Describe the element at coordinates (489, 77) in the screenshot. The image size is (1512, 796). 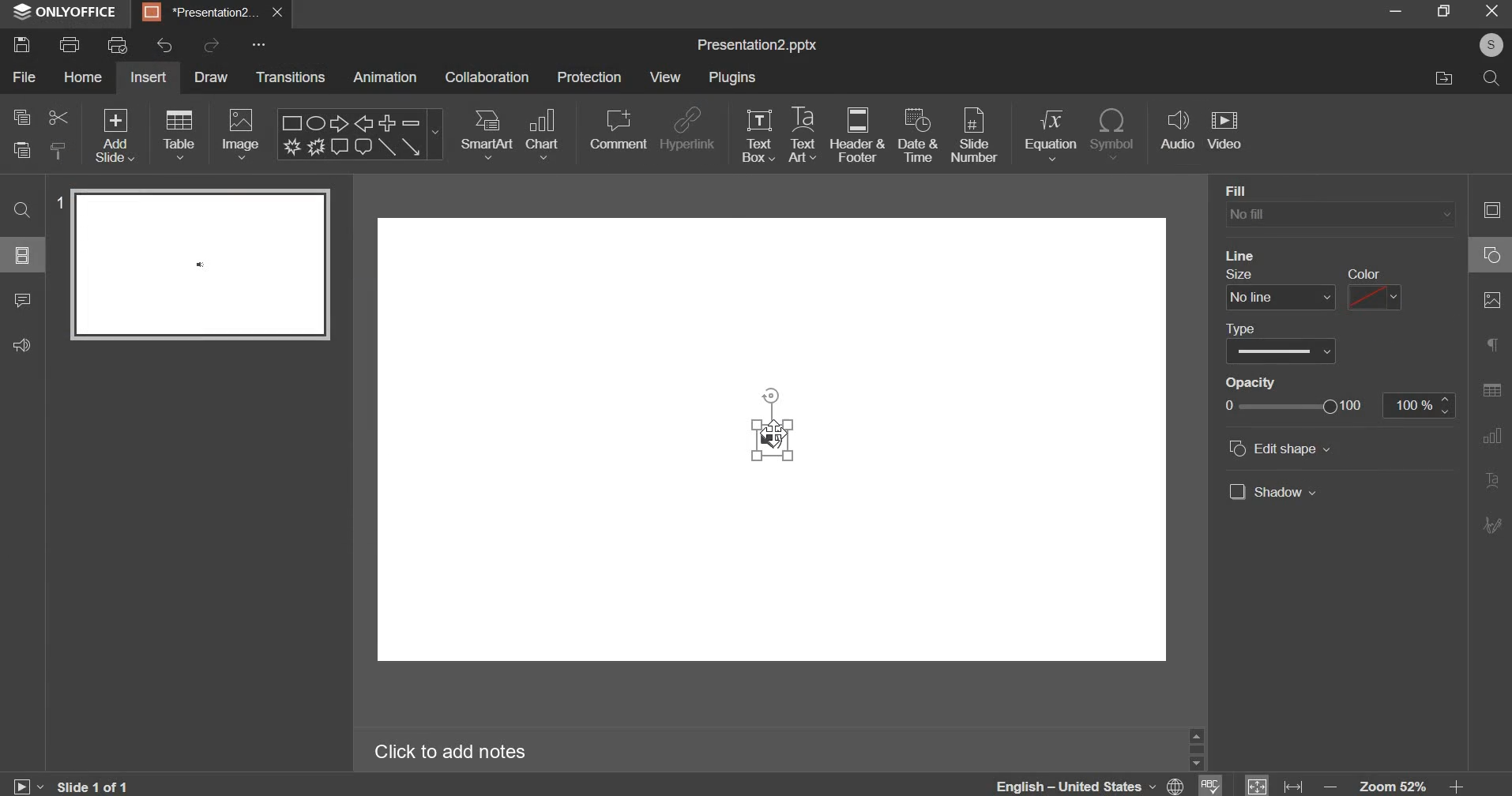
I see `collaboration` at that location.